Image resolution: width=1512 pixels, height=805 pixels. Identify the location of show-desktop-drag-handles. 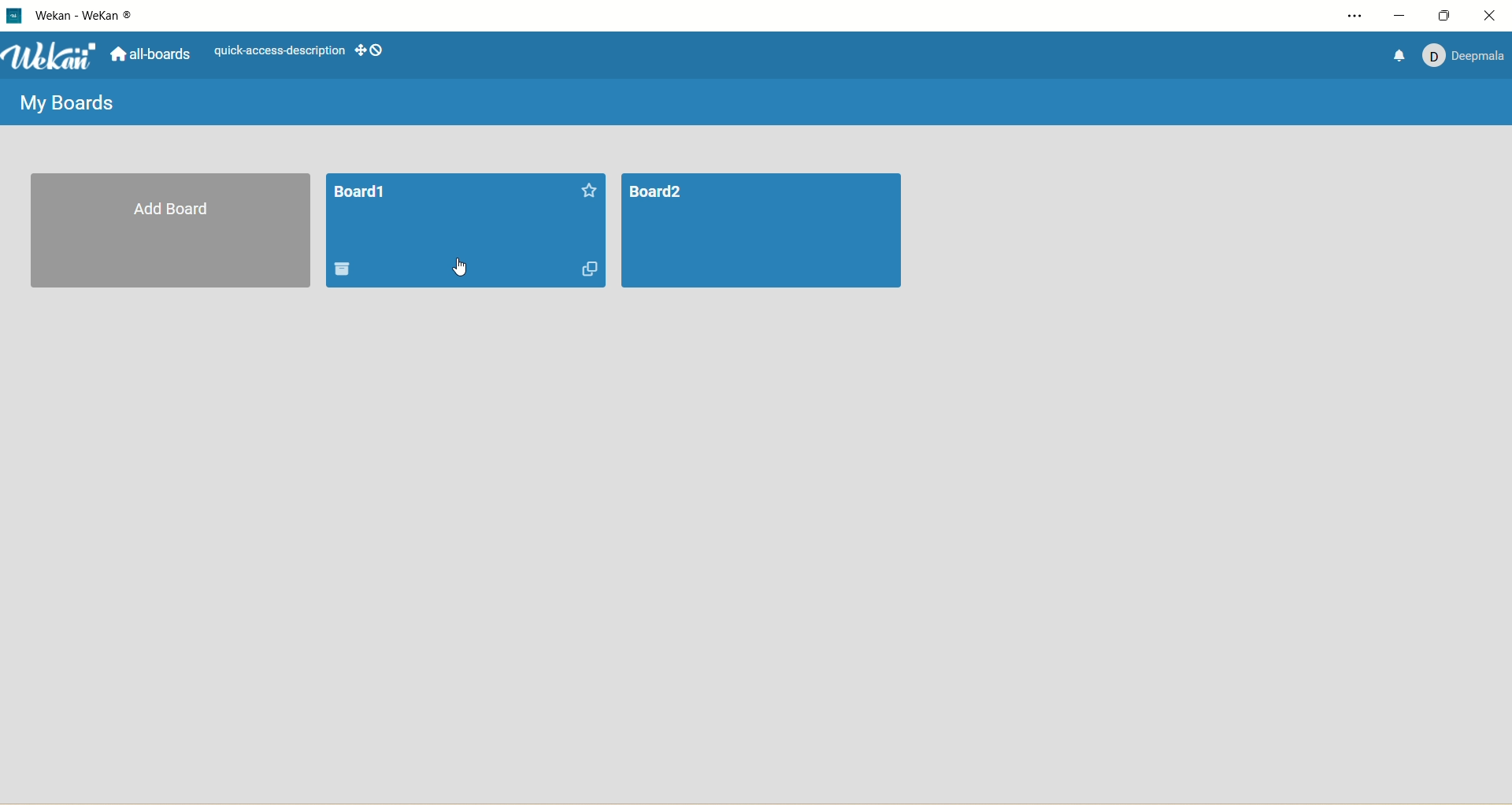
(380, 50).